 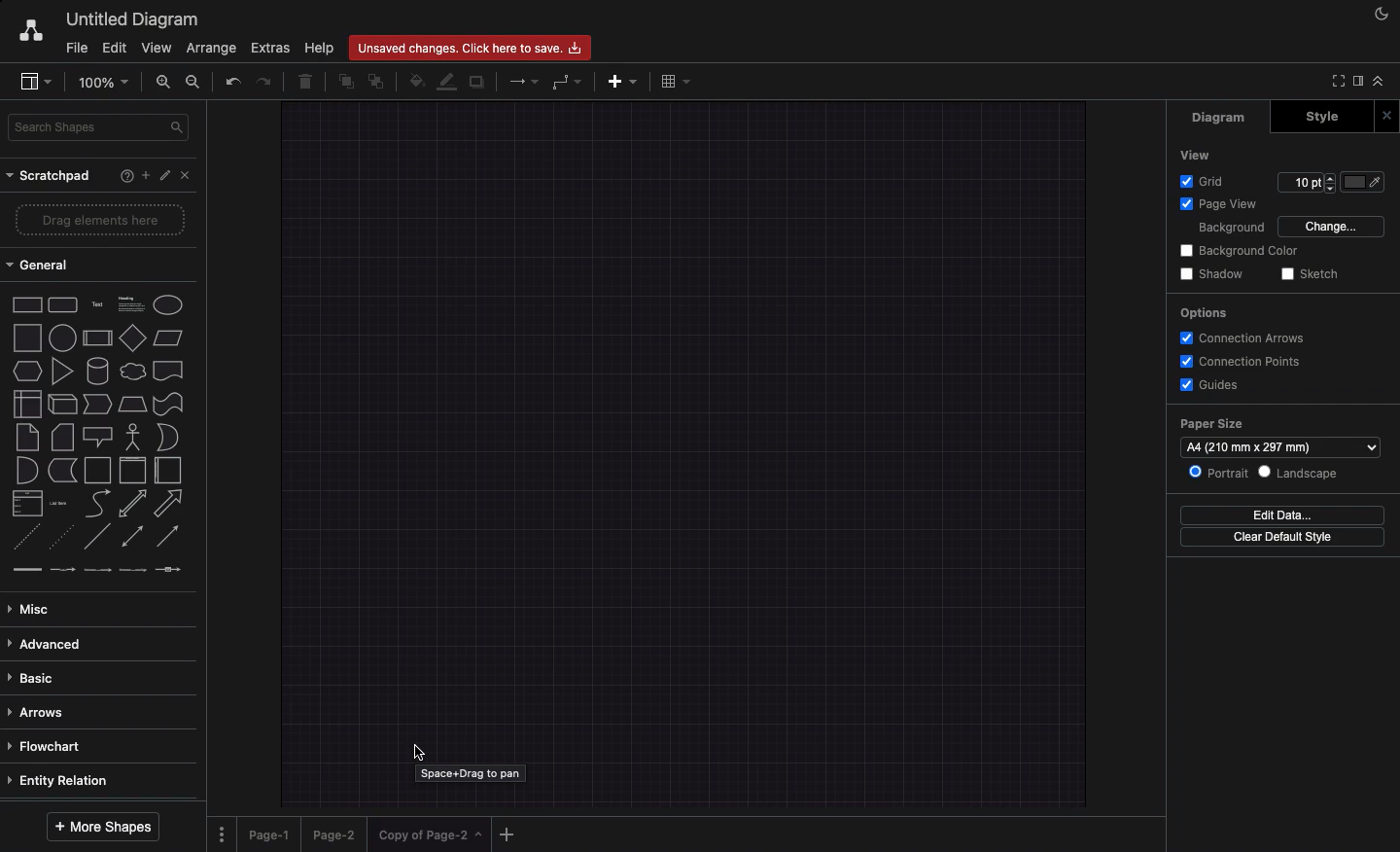 I want to click on Line color, so click(x=444, y=83).